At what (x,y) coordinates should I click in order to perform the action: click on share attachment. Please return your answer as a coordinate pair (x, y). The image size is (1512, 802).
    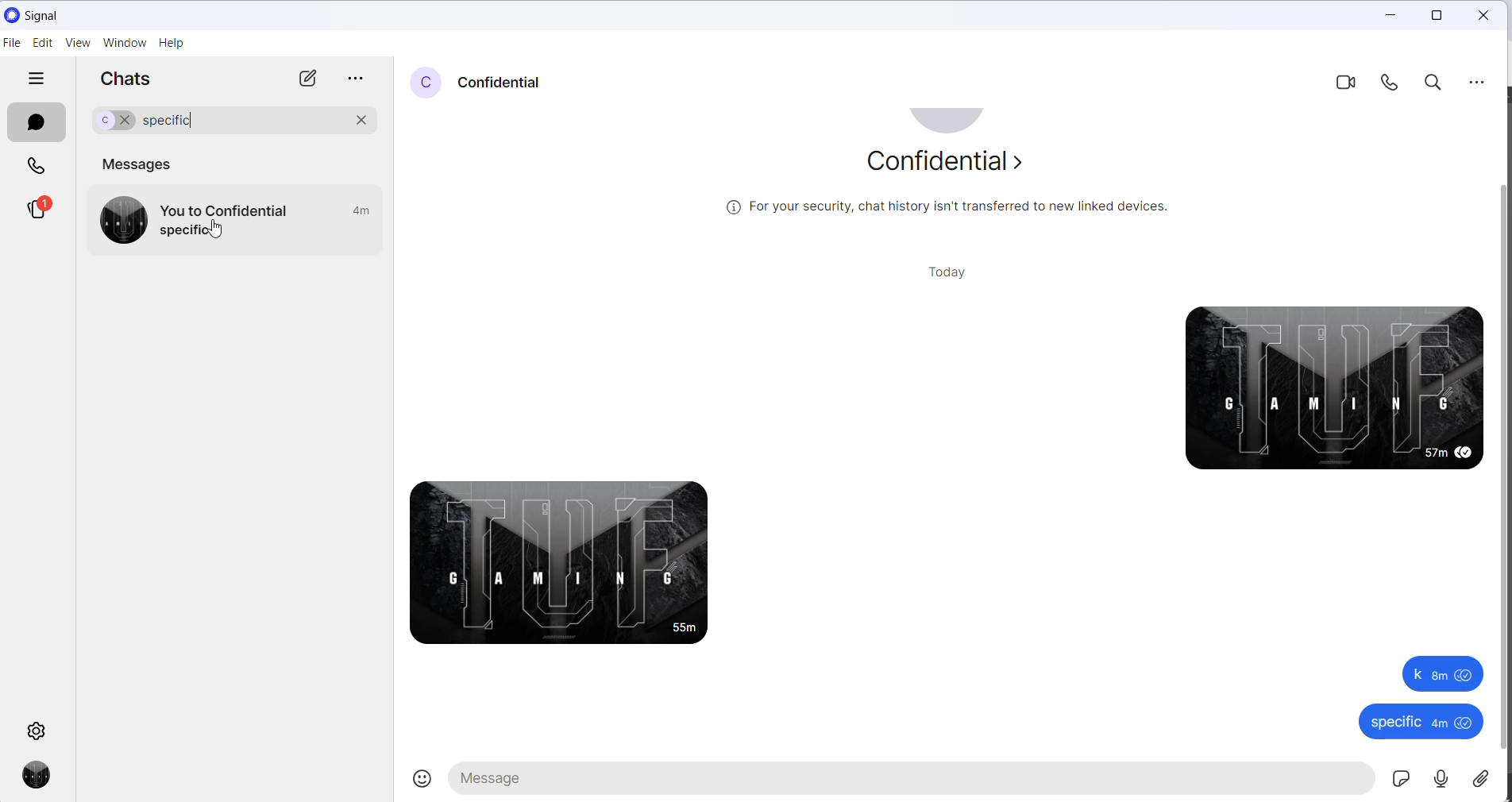
    Looking at the image, I should click on (1491, 777).